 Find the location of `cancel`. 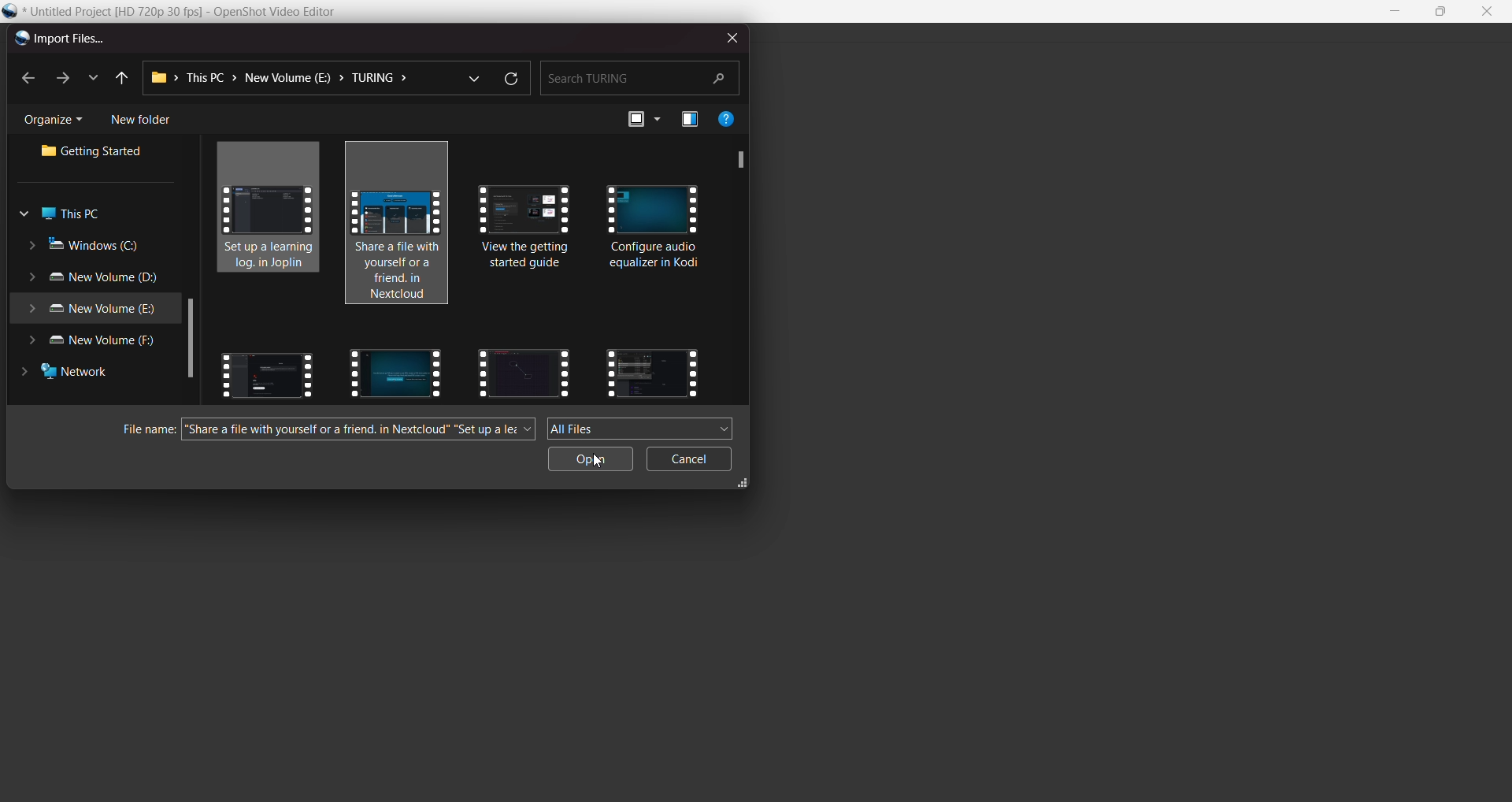

cancel is located at coordinates (691, 460).